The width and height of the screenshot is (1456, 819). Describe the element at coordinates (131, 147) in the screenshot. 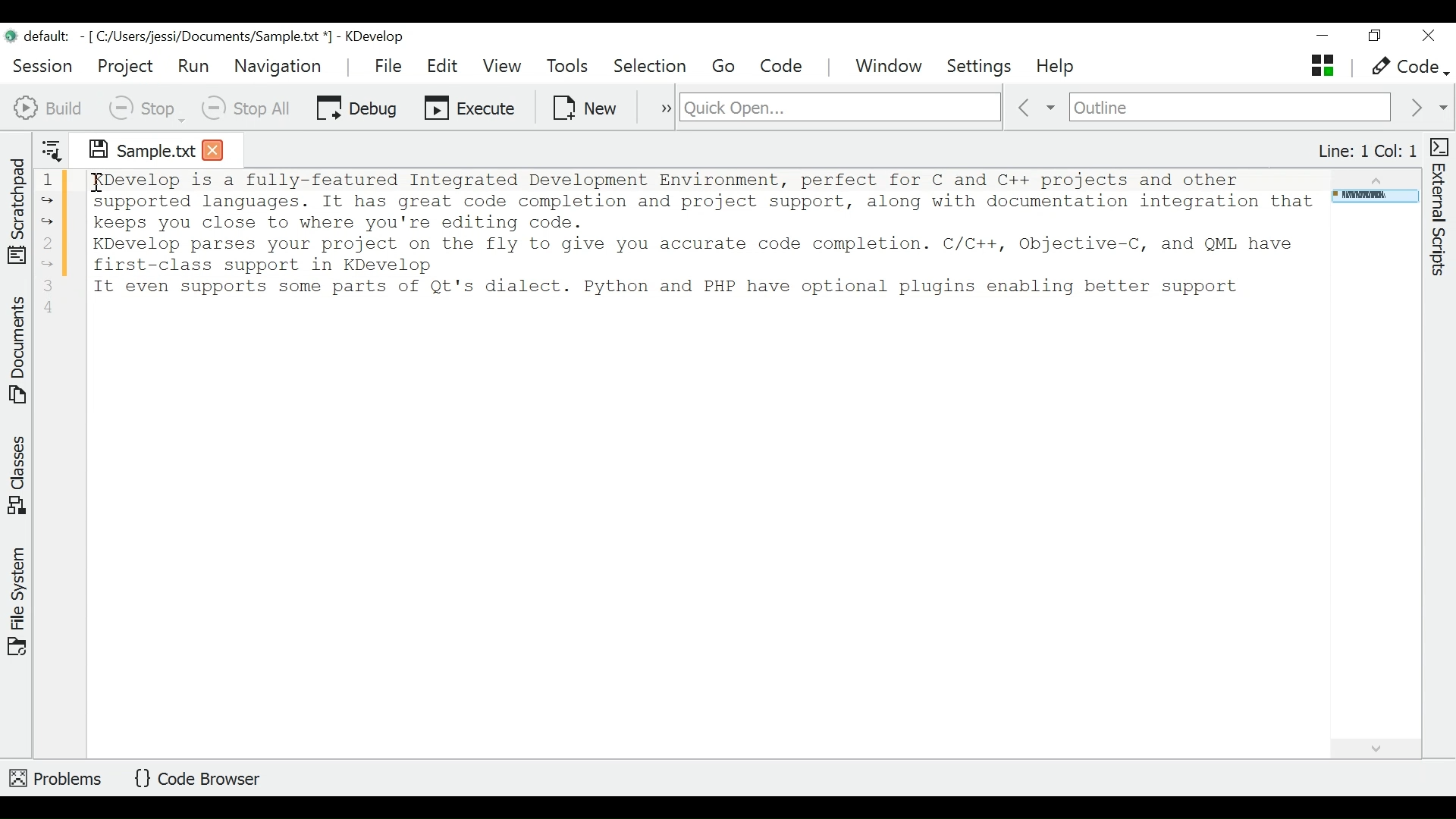

I see `Sample.txt` at that location.